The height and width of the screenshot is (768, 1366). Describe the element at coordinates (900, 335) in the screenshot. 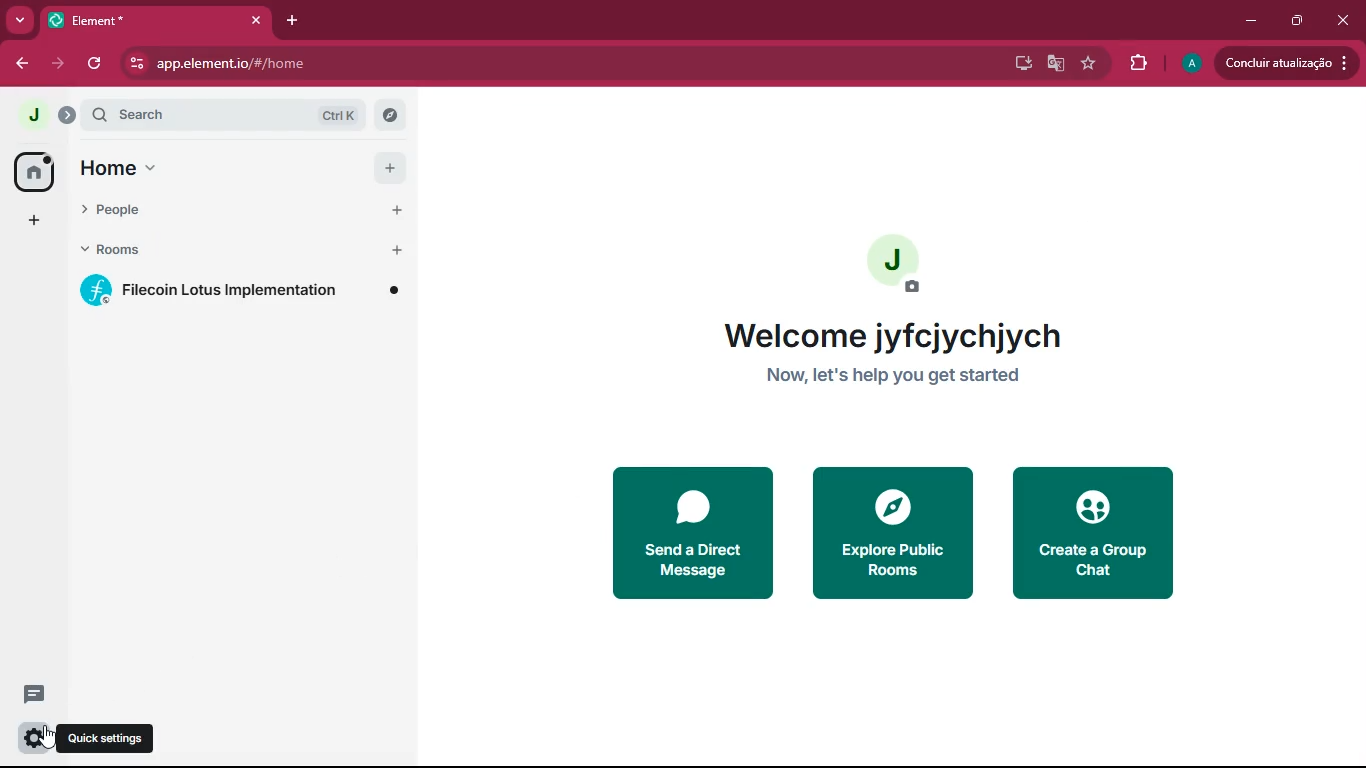

I see `welcome ` at that location.